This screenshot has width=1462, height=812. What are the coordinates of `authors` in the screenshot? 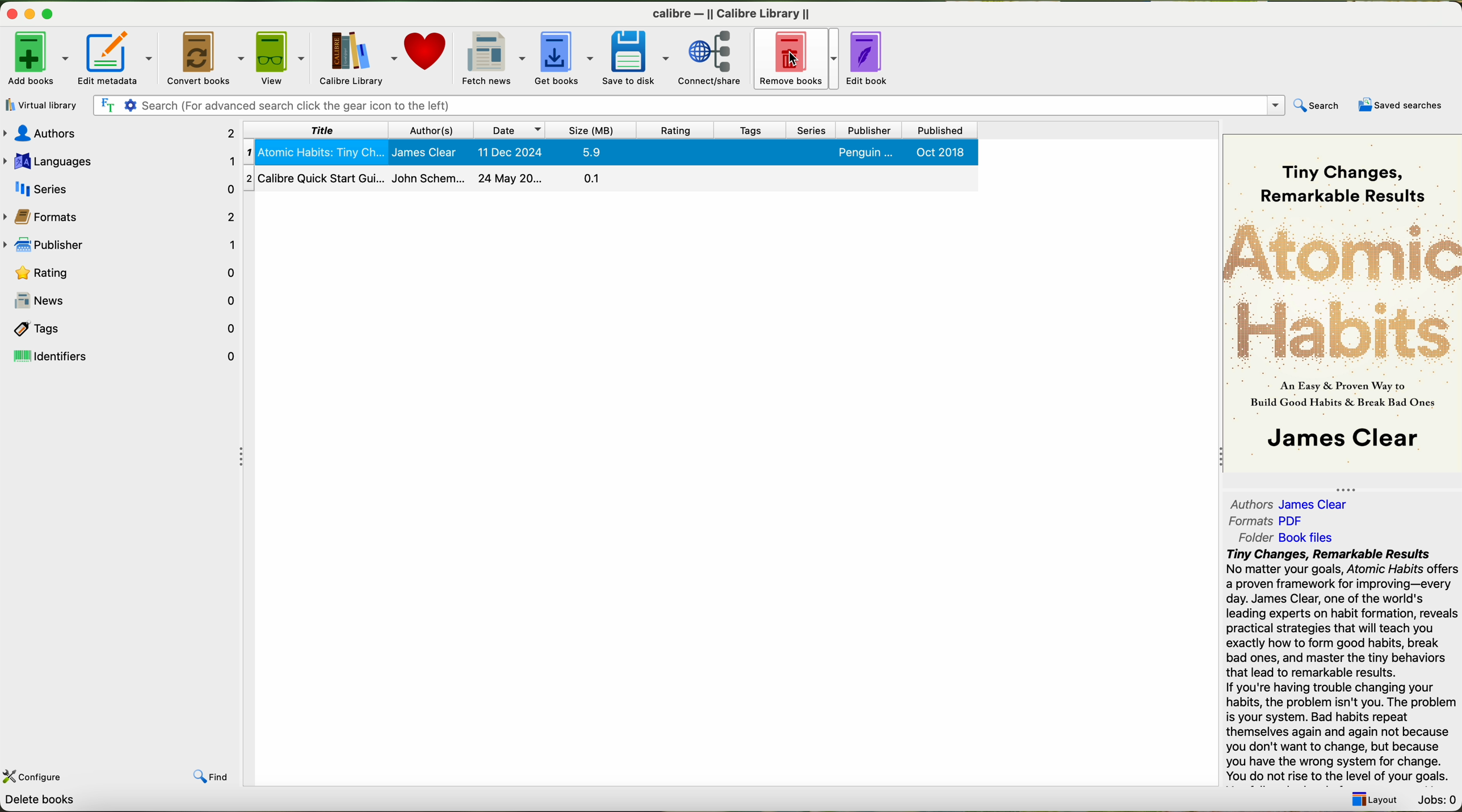 It's located at (1288, 503).